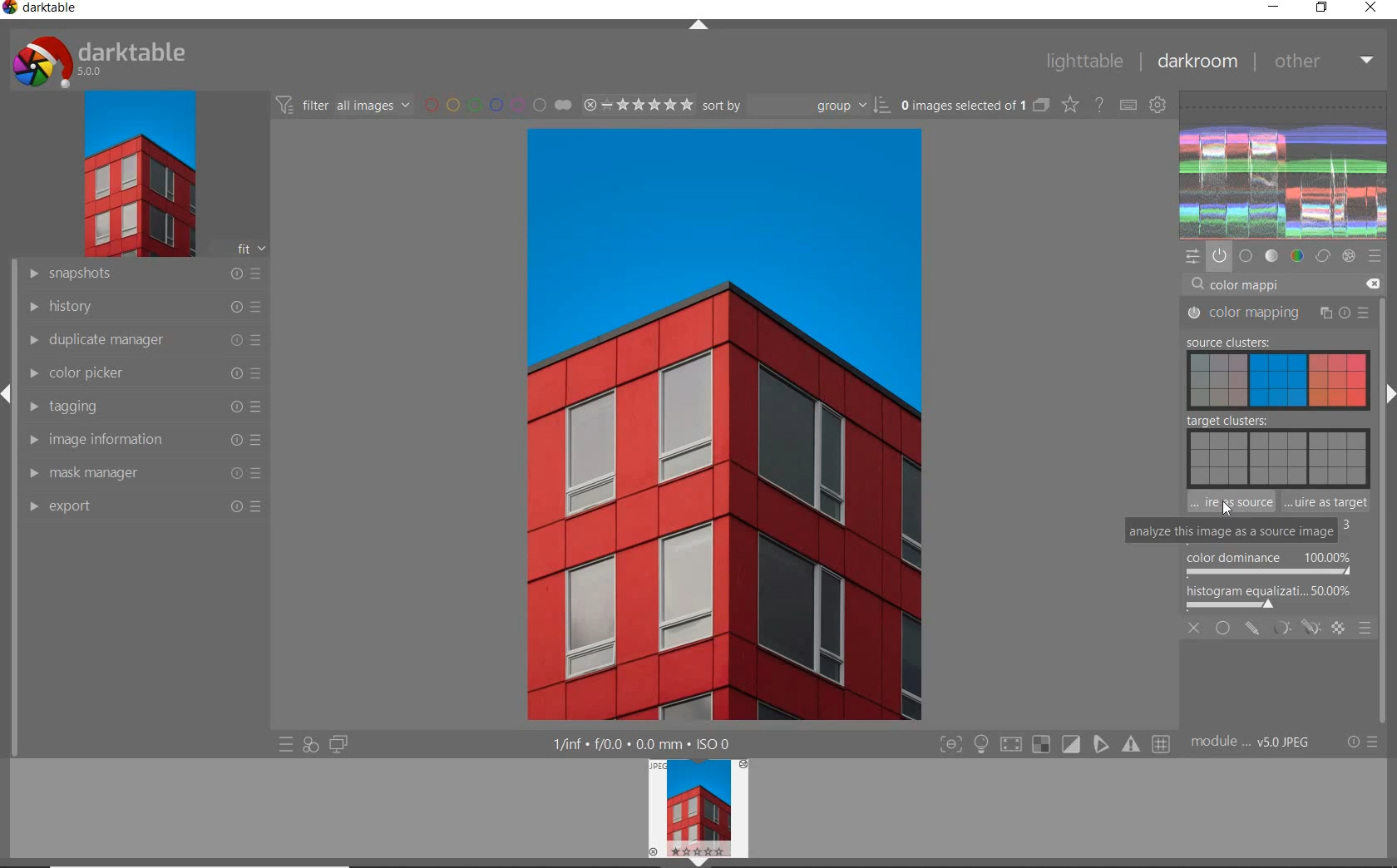  What do you see at coordinates (286, 745) in the screenshot?
I see `quick access to preset` at bounding box center [286, 745].